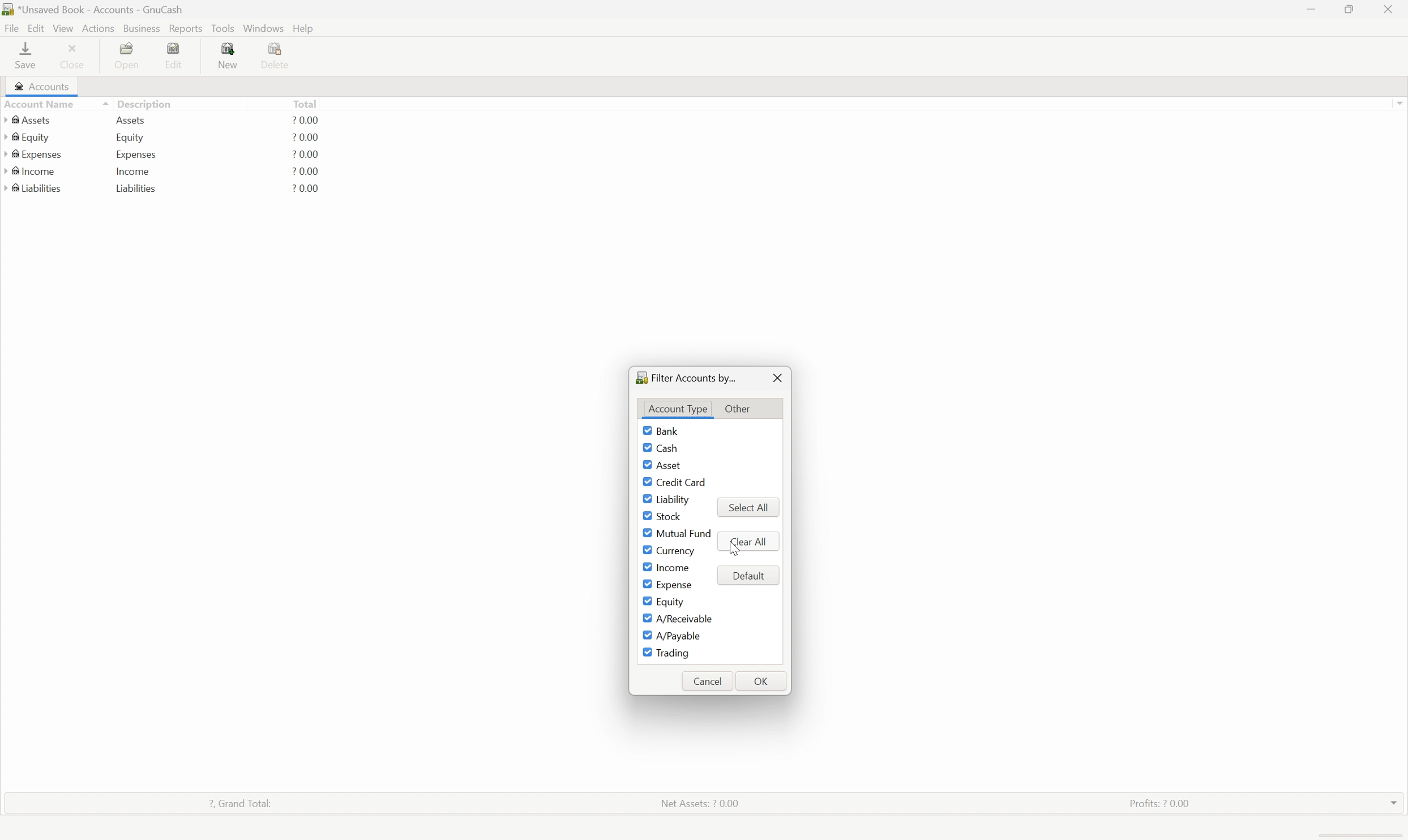 The height and width of the screenshot is (840, 1408). What do you see at coordinates (645, 654) in the screenshot?
I see `Checkbox` at bounding box center [645, 654].